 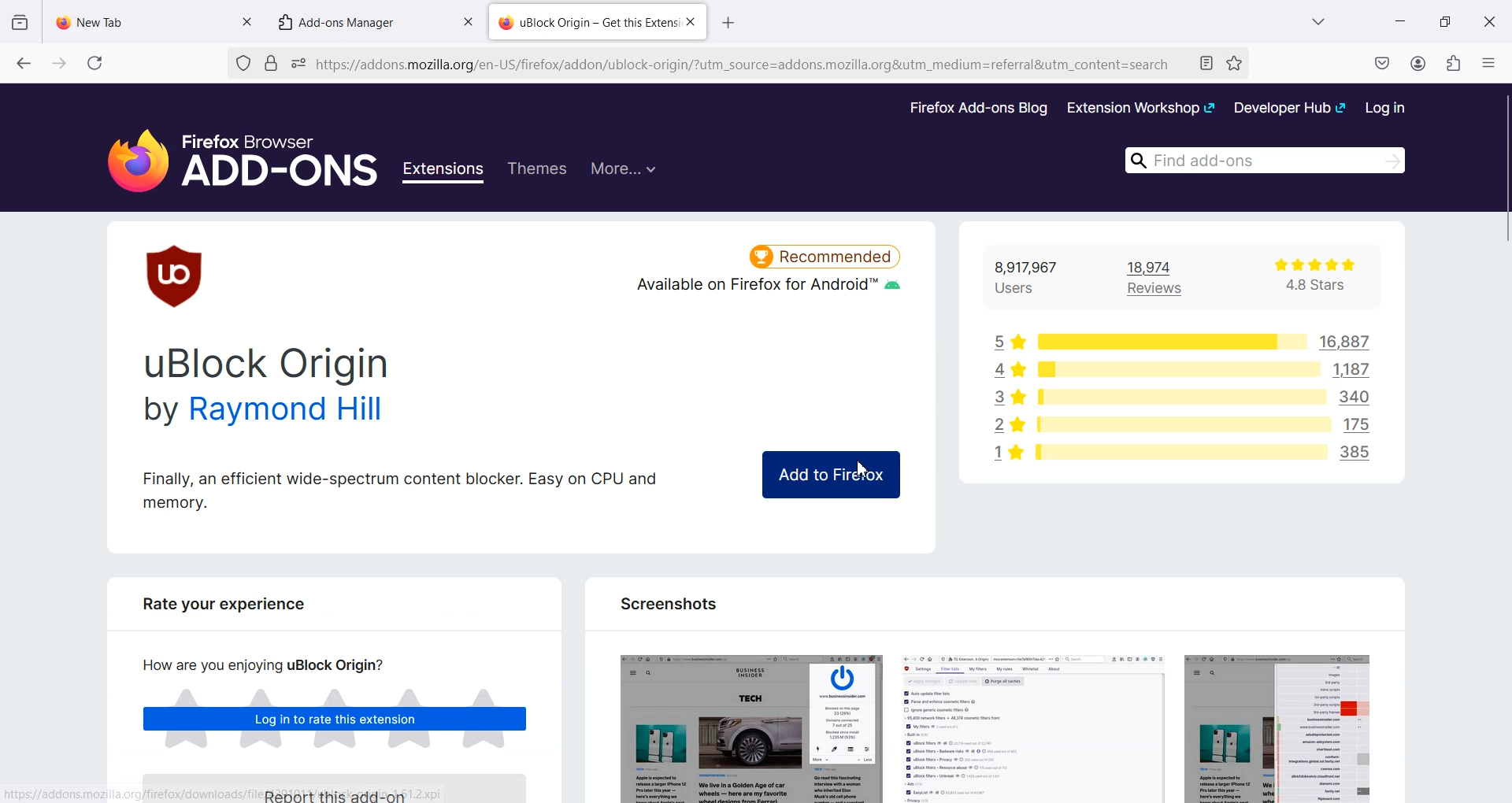 I want to click on More, so click(x=623, y=167).